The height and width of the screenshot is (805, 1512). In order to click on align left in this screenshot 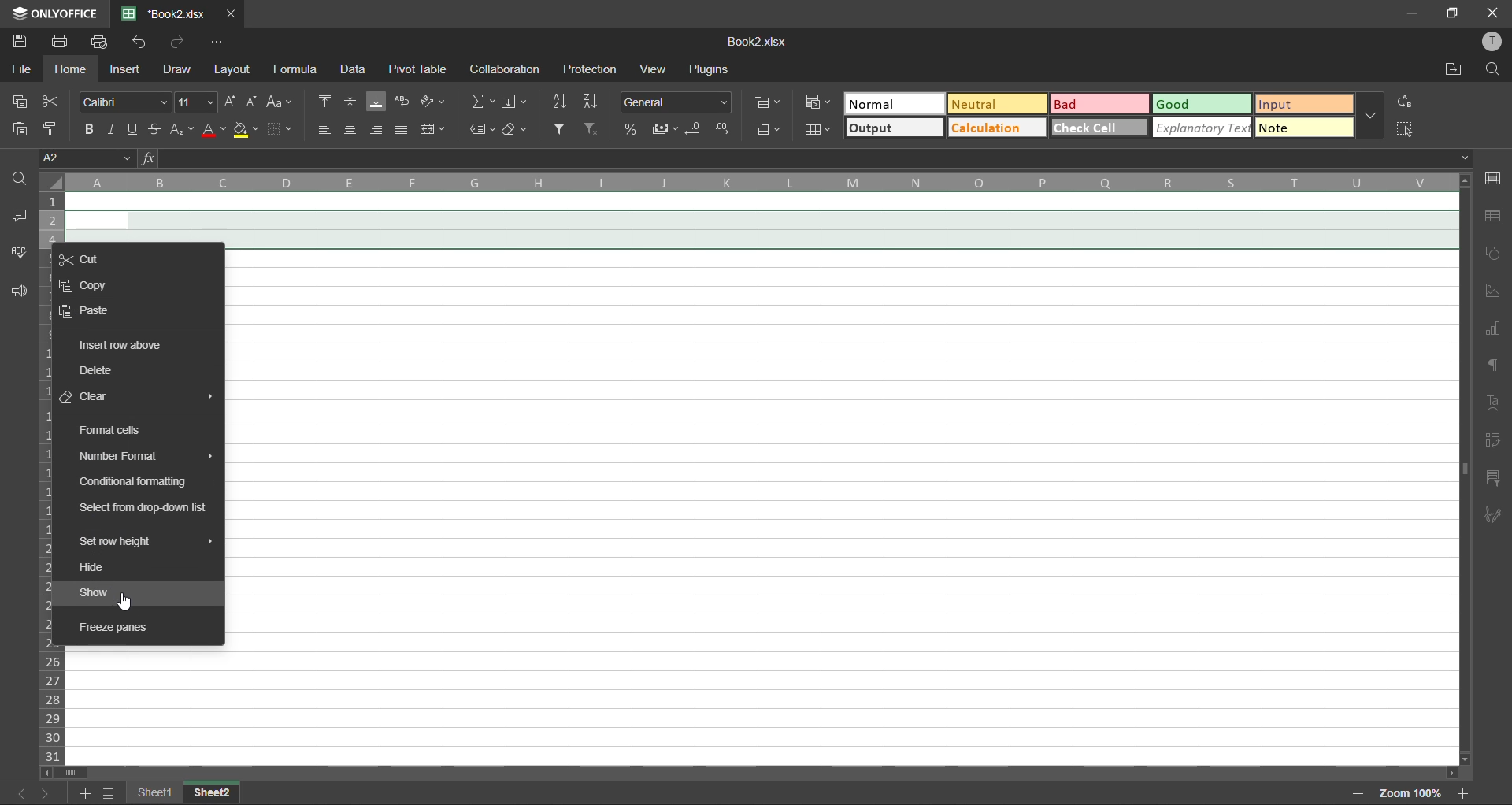, I will do `click(328, 128)`.